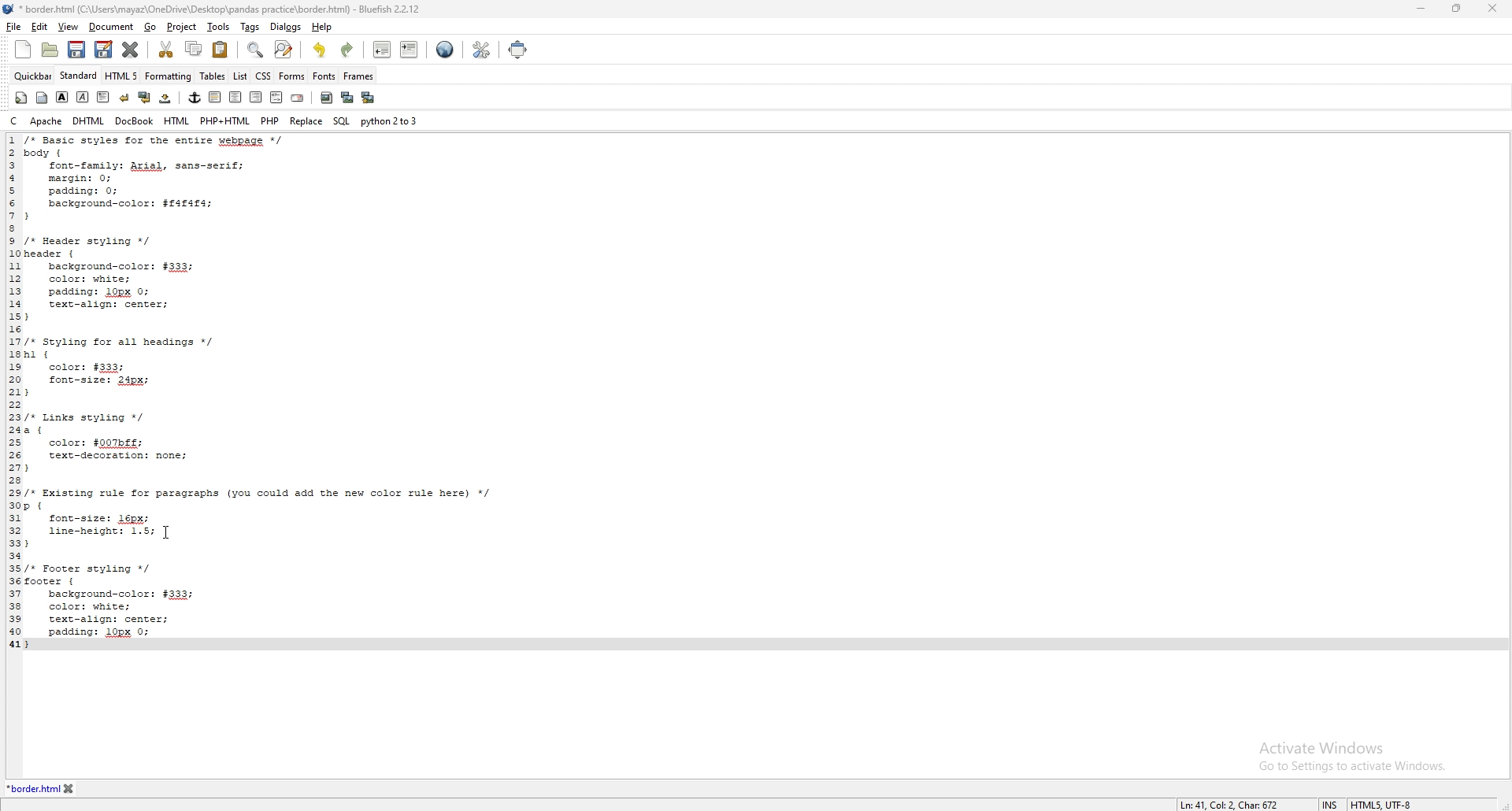  What do you see at coordinates (342, 120) in the screenshot?
I see `sql` at bounding box center [342, 120].